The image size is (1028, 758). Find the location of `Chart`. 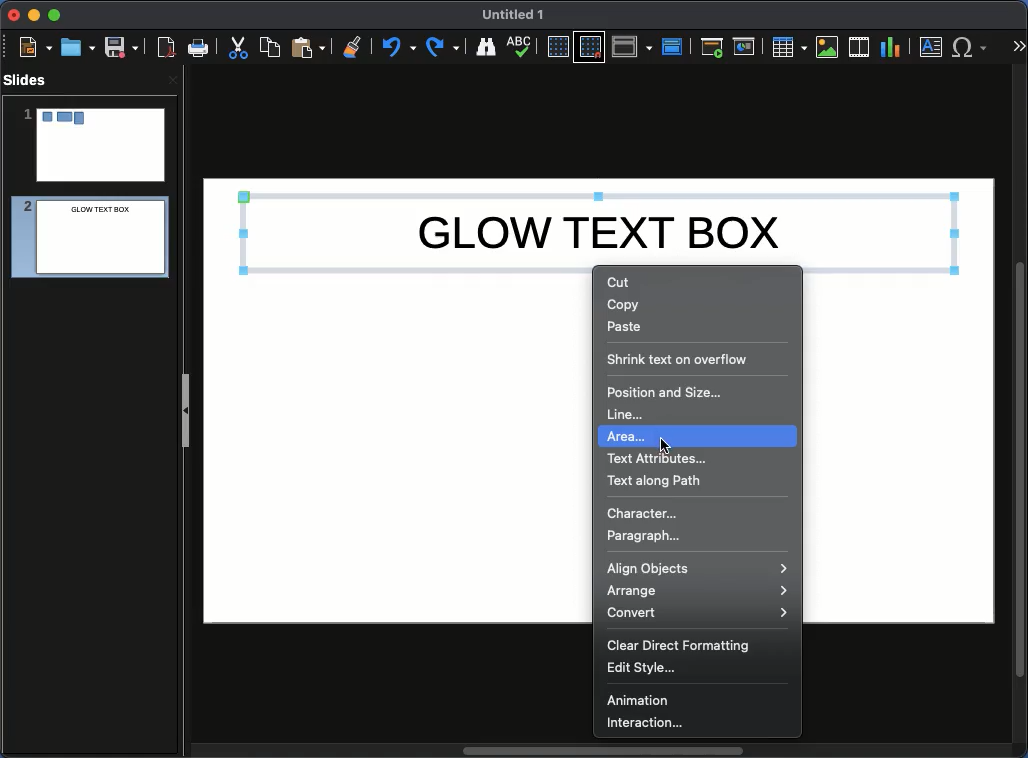

Chart is located at coordinates (890, 48).